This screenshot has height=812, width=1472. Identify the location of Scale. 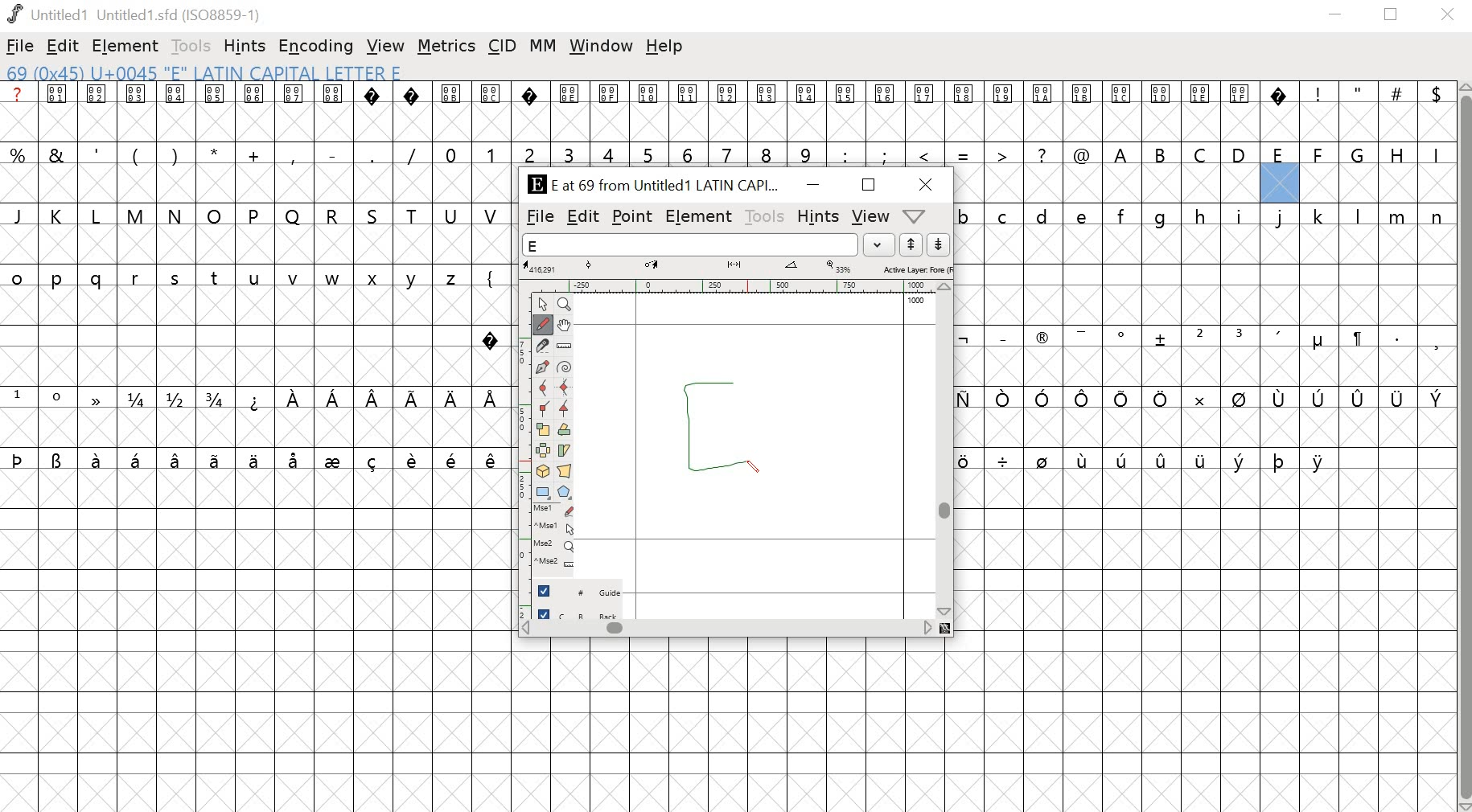
(544, 430).